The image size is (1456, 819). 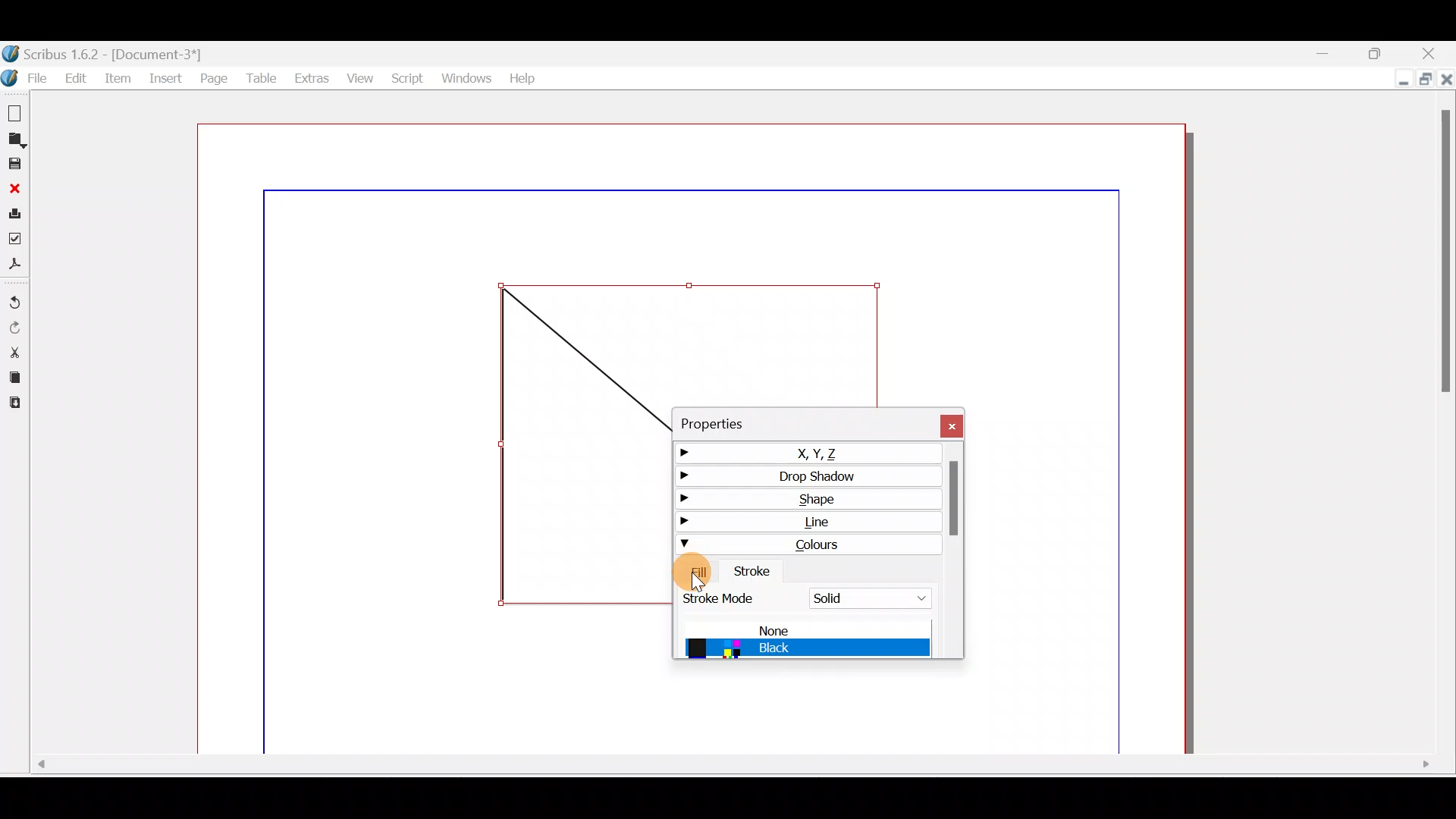 What do you see at coordinates (14, 351) in the screenshot?
I see `Cut` at bounding box center [14, 351].